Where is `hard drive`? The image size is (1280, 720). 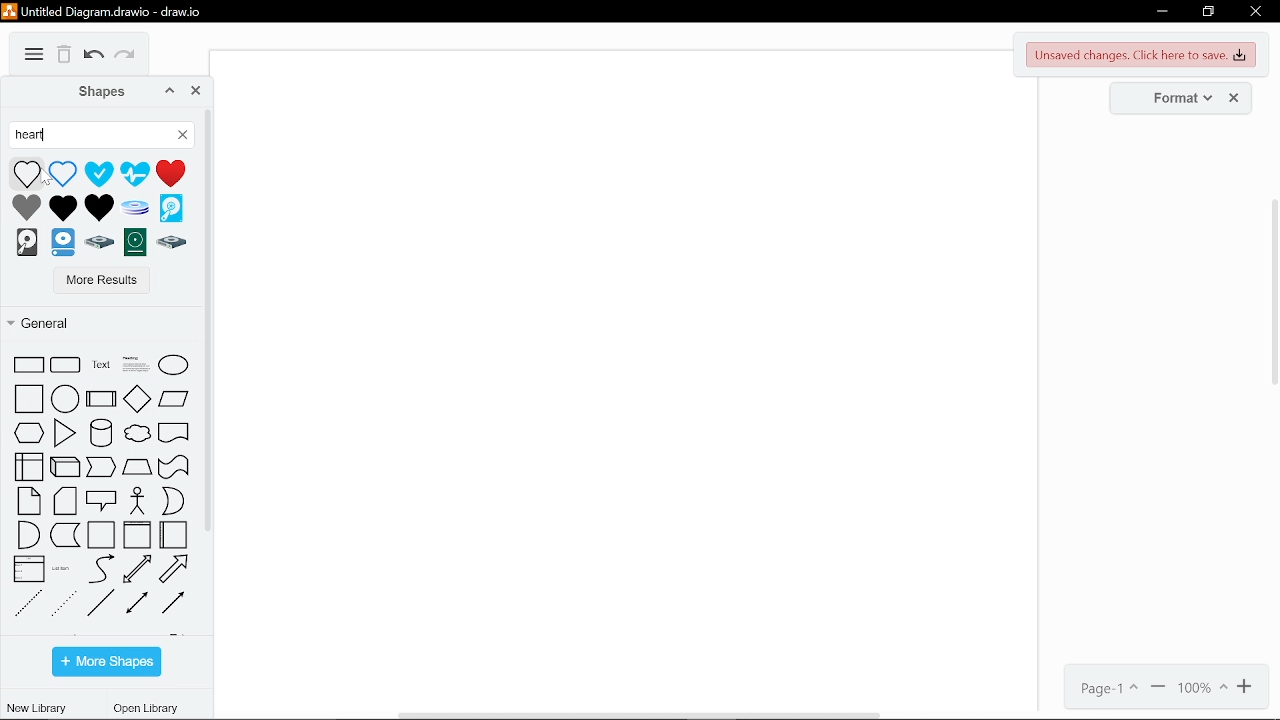
hard drive is located at coordinates (62, 243).